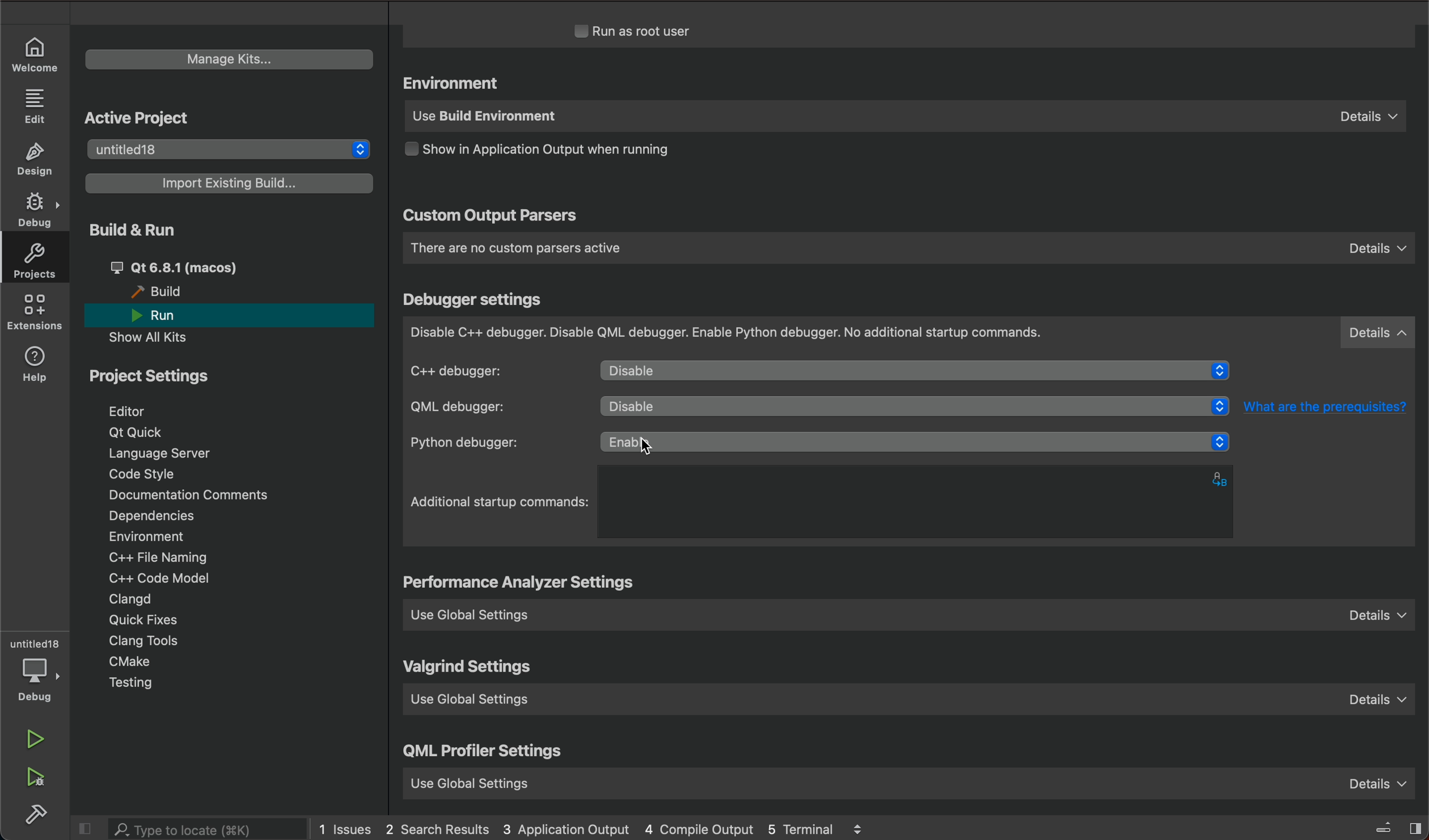  What do you see at coordinates (37, 211) in the screenshot?
I see `DEBUG` at bounding box center [37, 211].